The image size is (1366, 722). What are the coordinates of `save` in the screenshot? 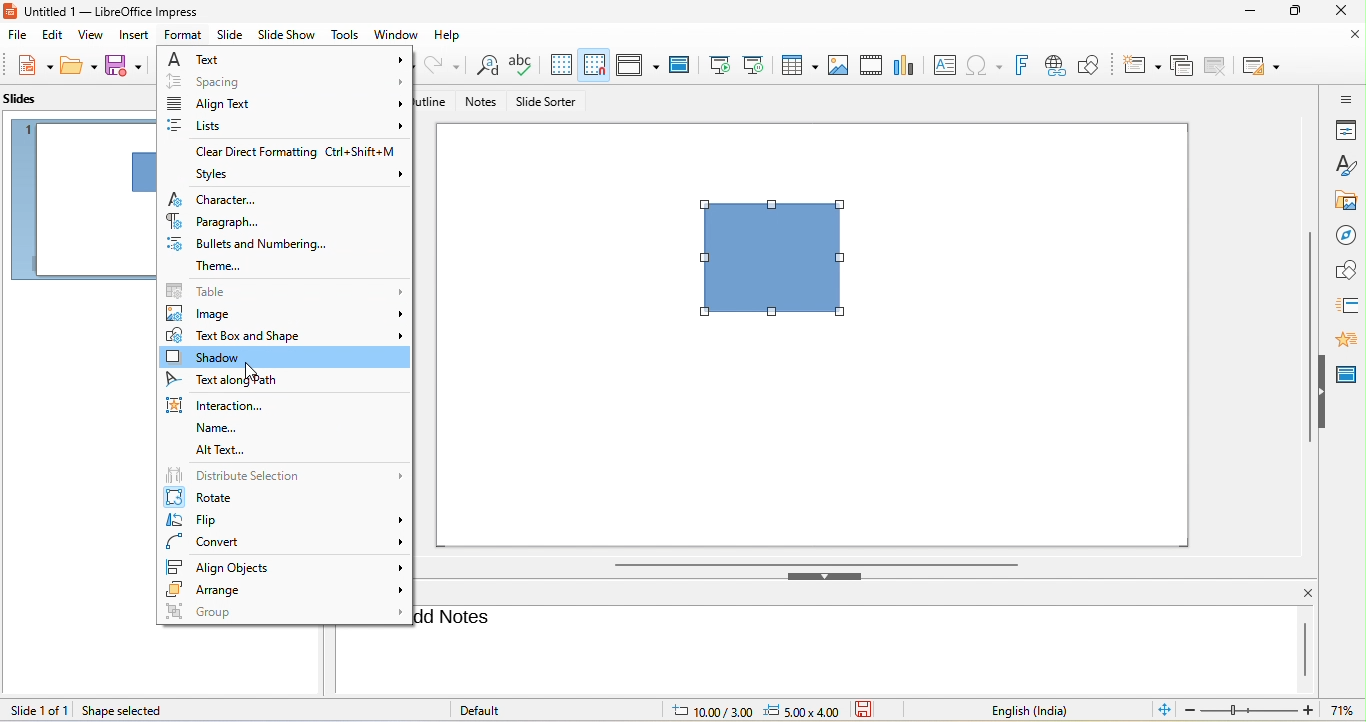 It's located at (128, 65).